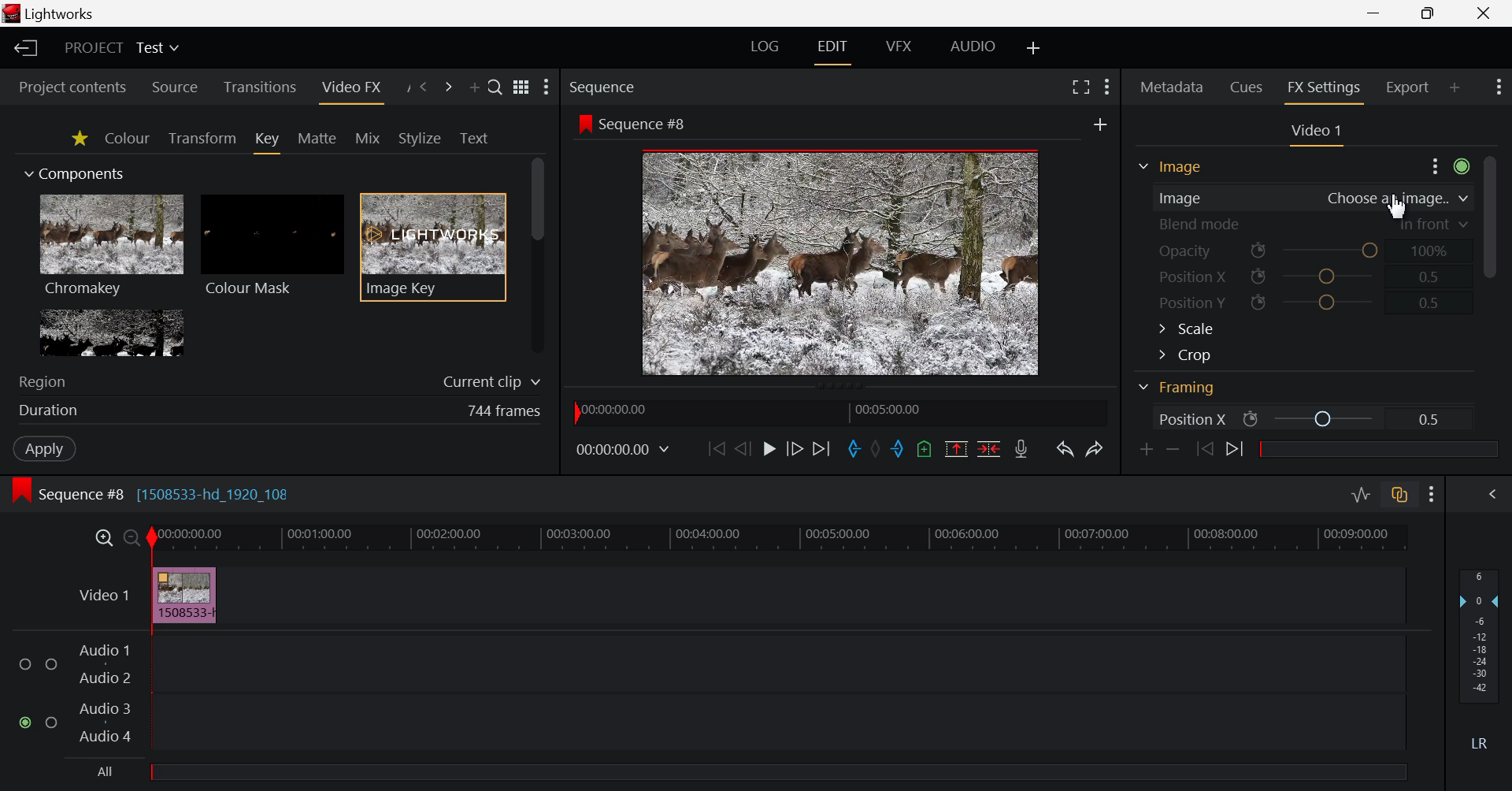  Describe the element at coordinates (824, 448) in the screenshot. I see `To End` at that location.